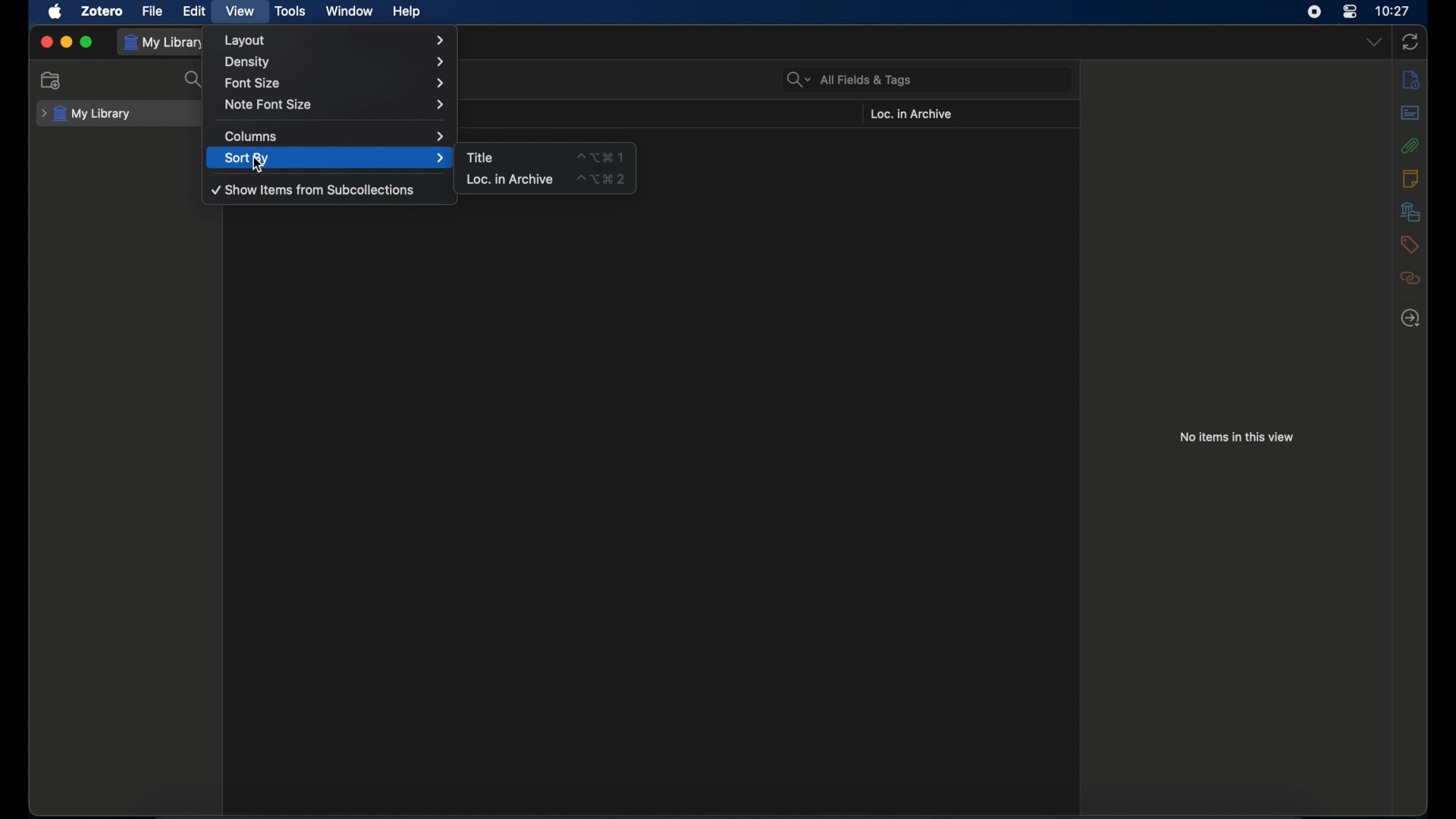 This screenshot has height=819, width=1456. What do you see at coordinates (1410, 212) in the screenshot?
I see `libraries` at bounding box center [1410, 212].